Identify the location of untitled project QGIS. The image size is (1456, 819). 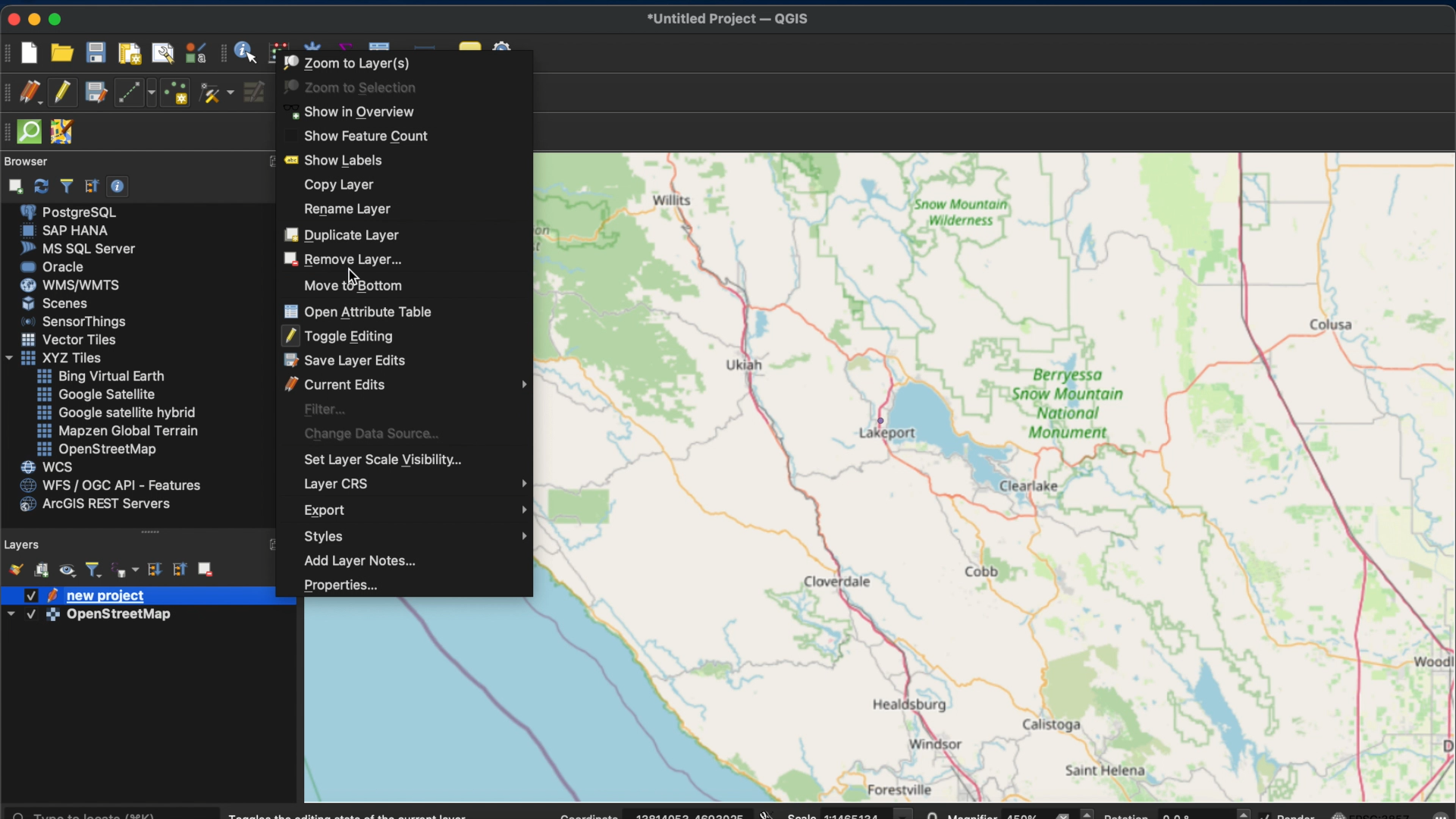
(727, 19).